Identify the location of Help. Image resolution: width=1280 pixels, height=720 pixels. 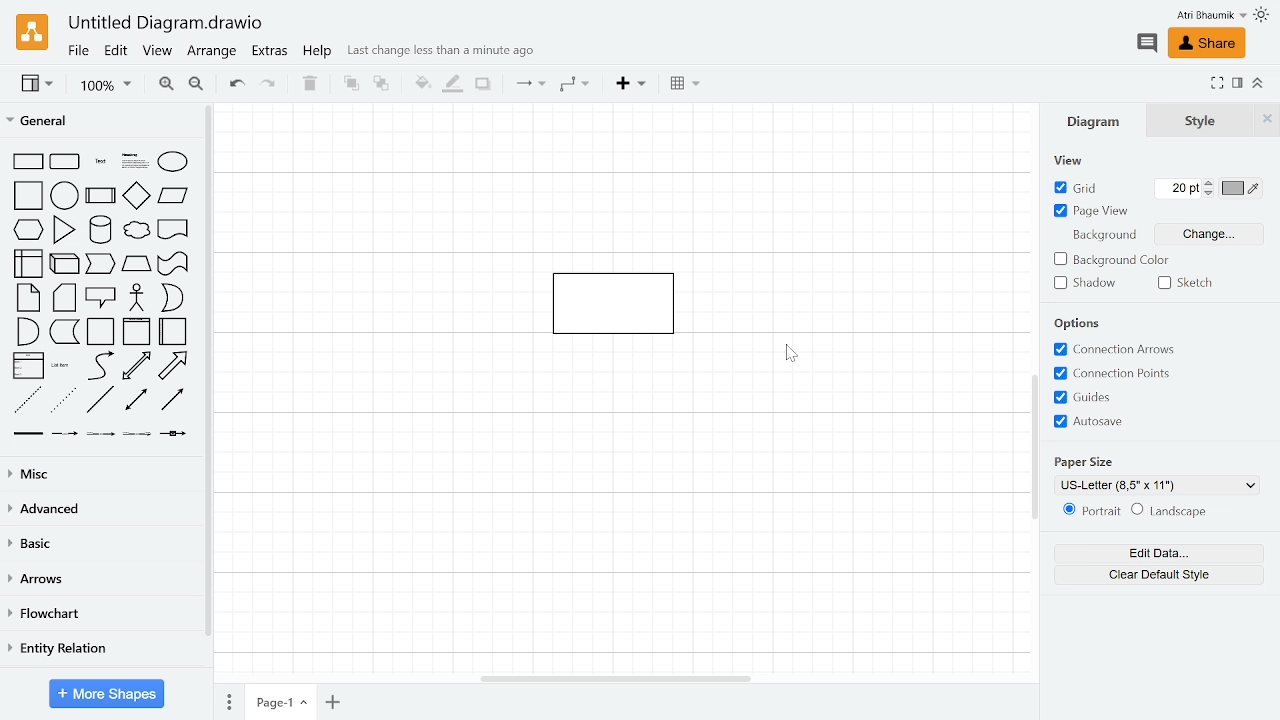
(320, 53).